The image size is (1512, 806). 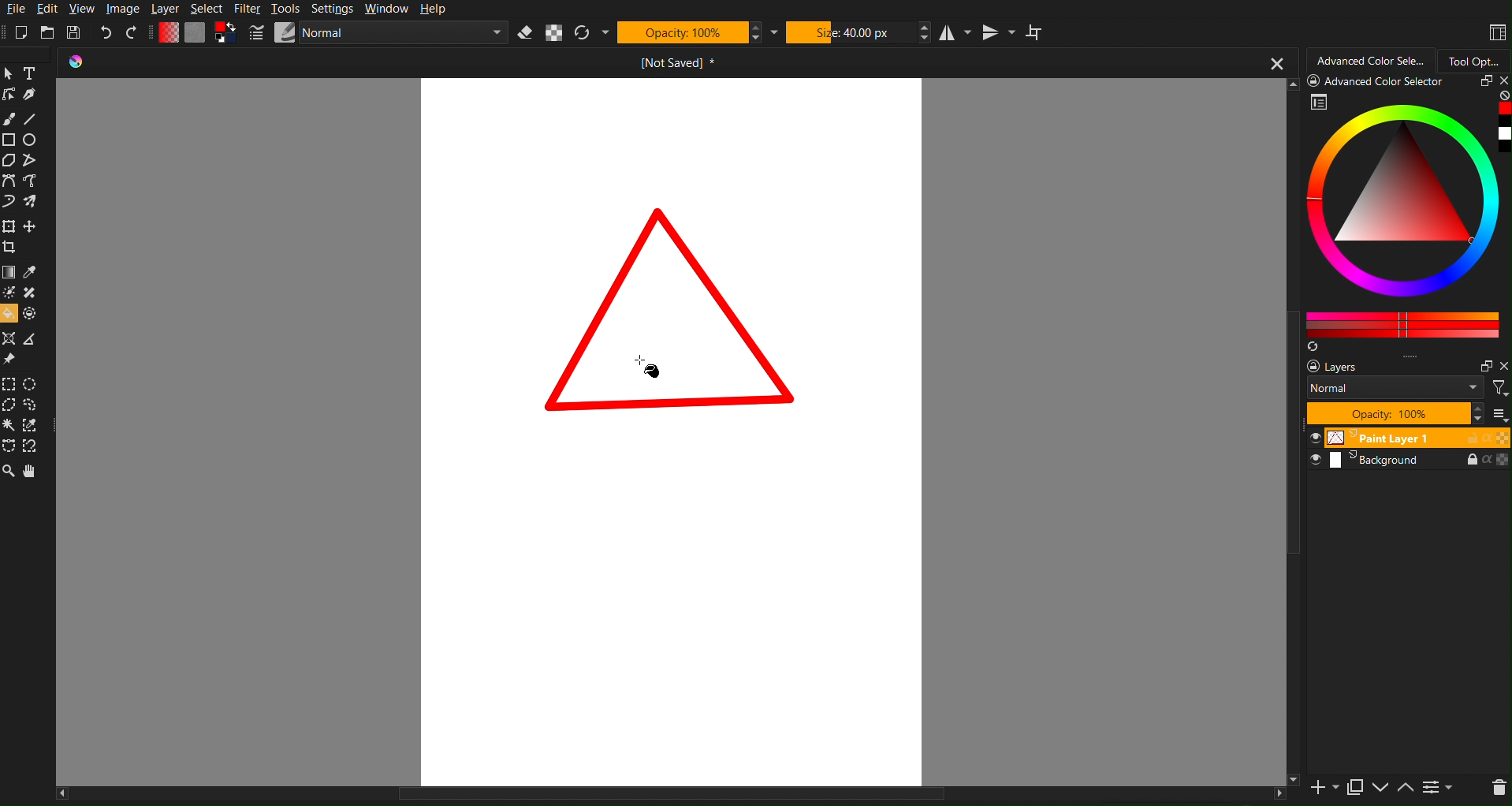 What do you see at coordinates (670, 797) in the screenshot?
I see `scroll bar` at bounding box center [670, 797].